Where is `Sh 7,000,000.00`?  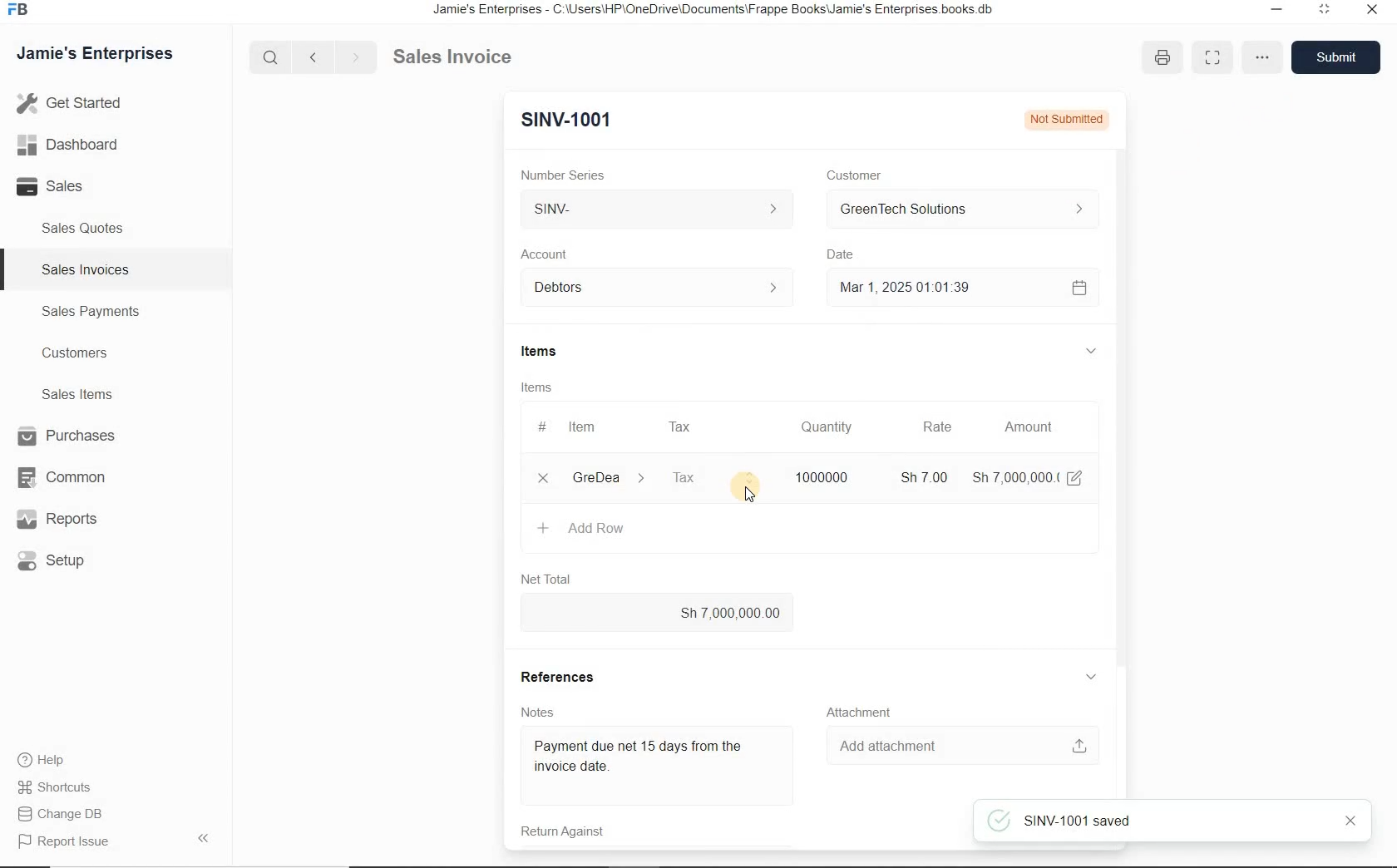
Sh 7,000,000.00 is located at coordinates (658, 613).